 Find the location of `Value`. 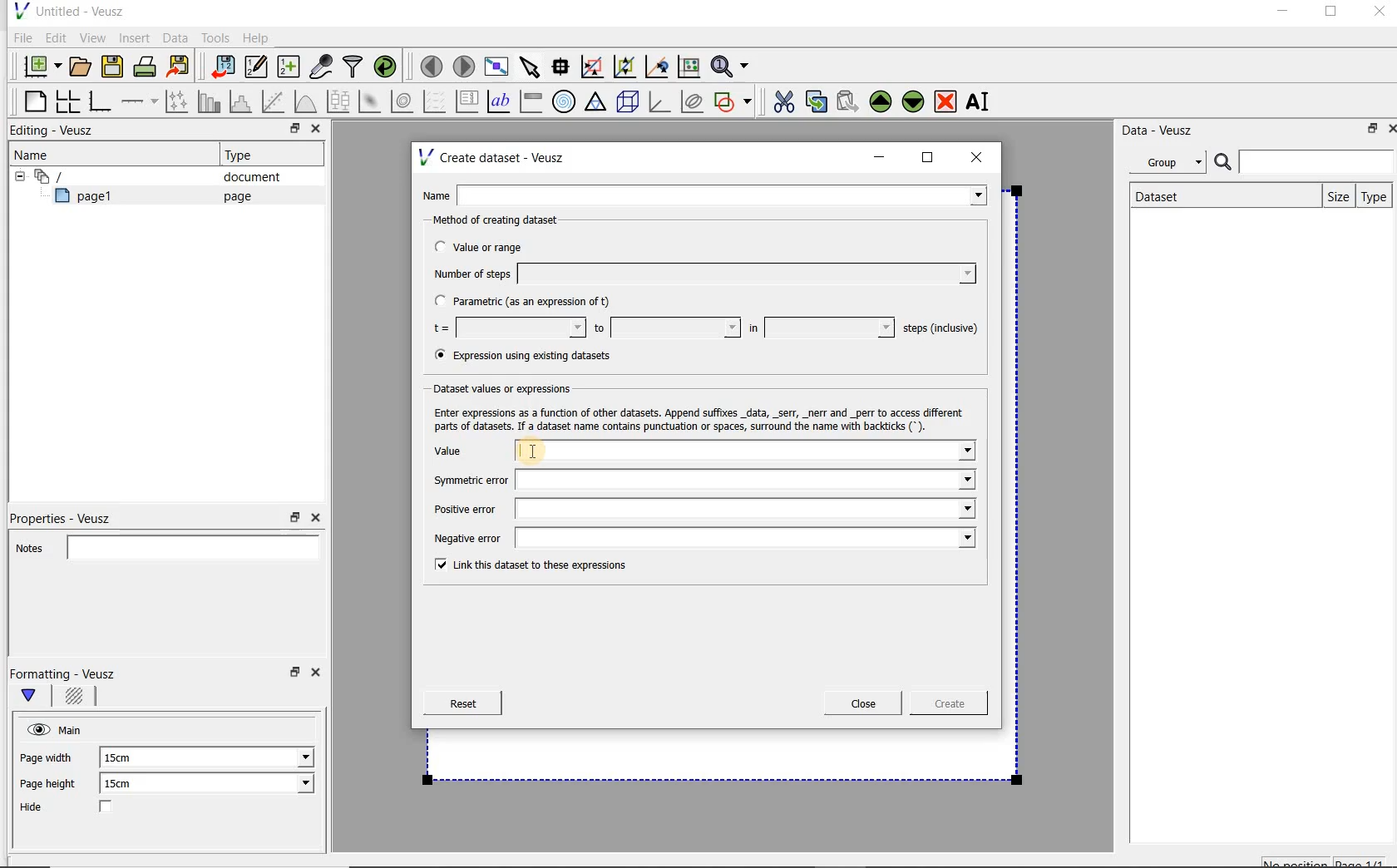

Value is located at coordinates (703, 452).